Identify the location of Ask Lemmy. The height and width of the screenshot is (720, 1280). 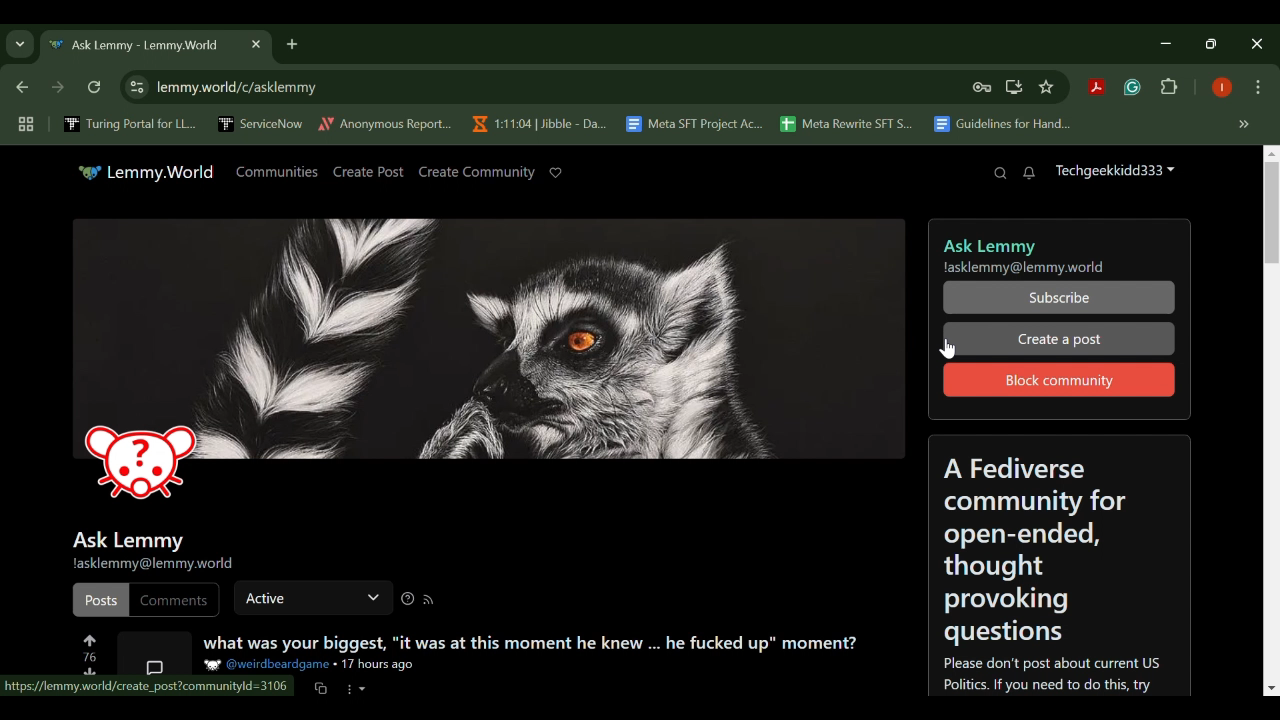
(987, 242).